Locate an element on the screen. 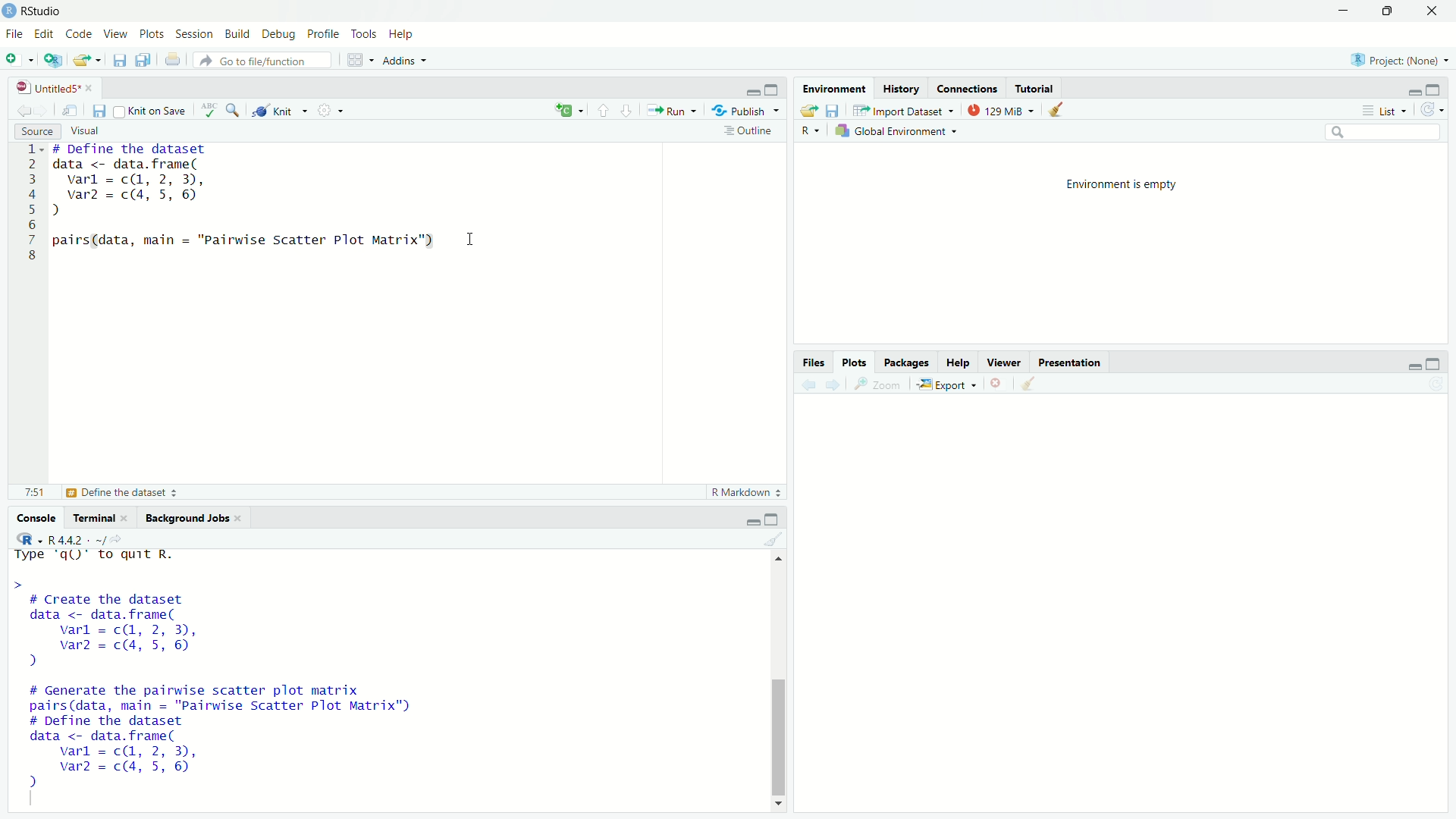 The image size is (1456, 819). Save all open documents (Ctrl + Alt + S) is located at coordinates (143, 58).